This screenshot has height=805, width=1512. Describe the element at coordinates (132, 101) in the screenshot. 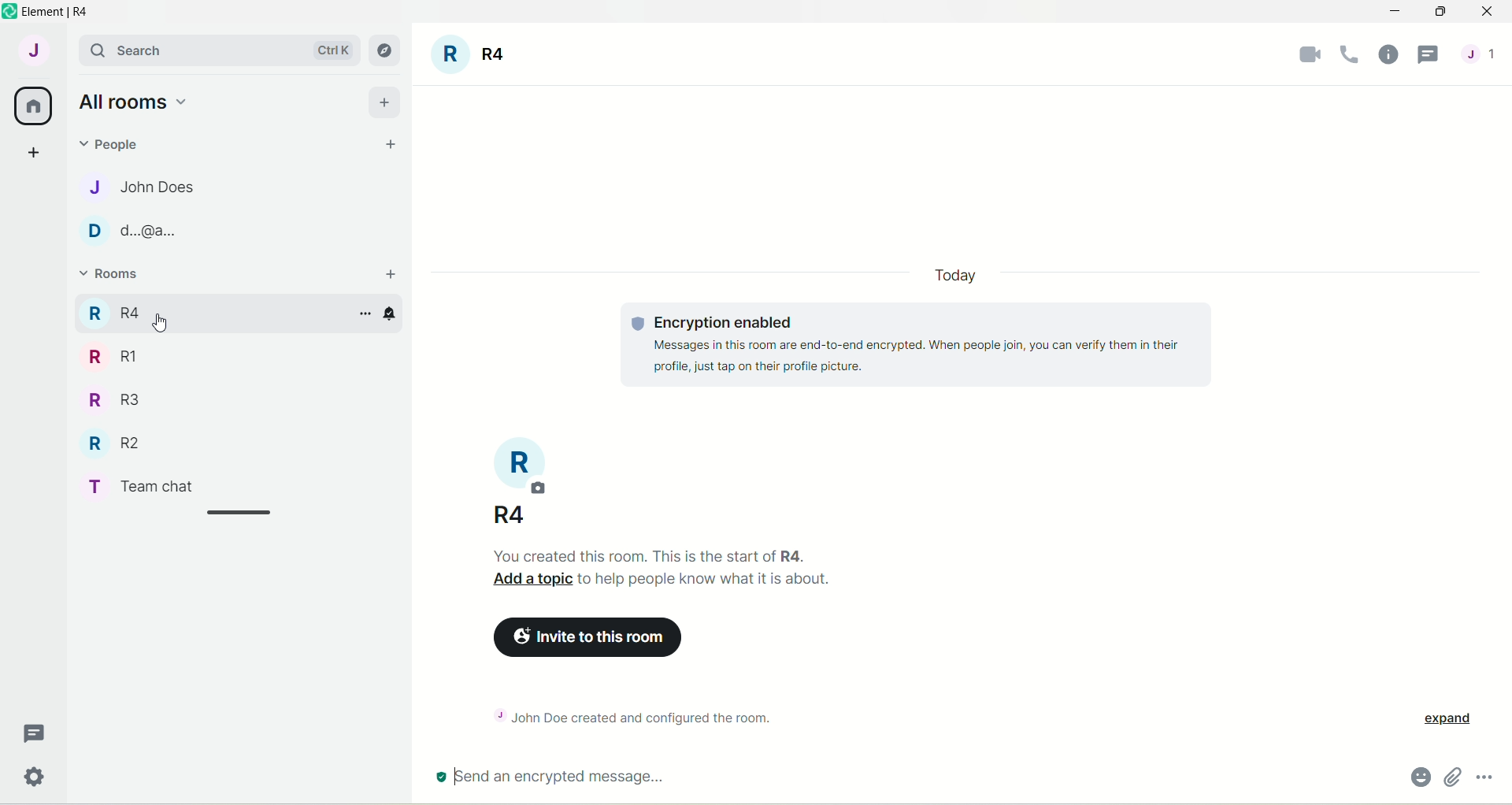

I see `all rooms` at that location.